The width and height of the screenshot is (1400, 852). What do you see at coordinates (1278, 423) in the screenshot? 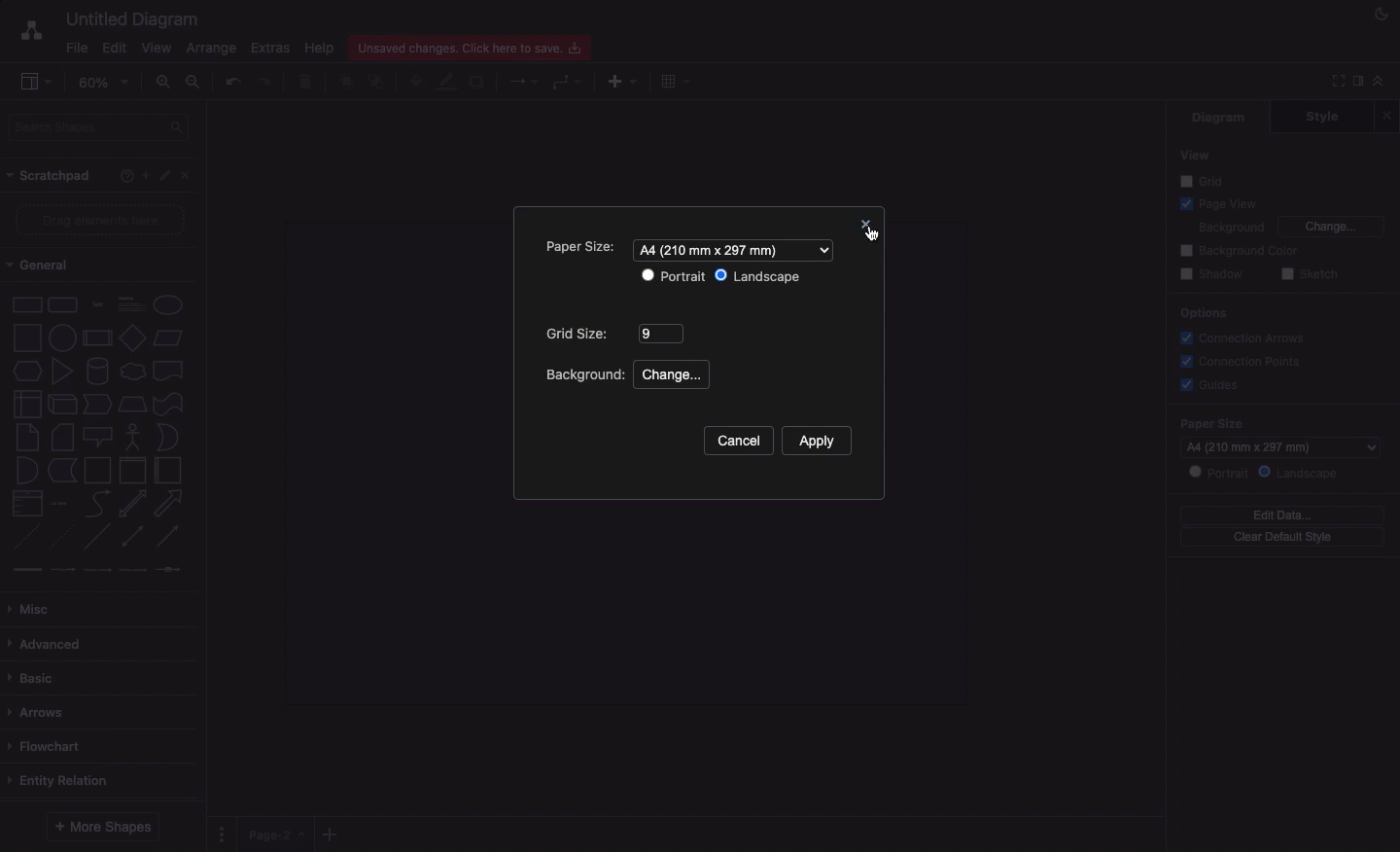
I see `Paper size` at bounding box center [1278, 423].